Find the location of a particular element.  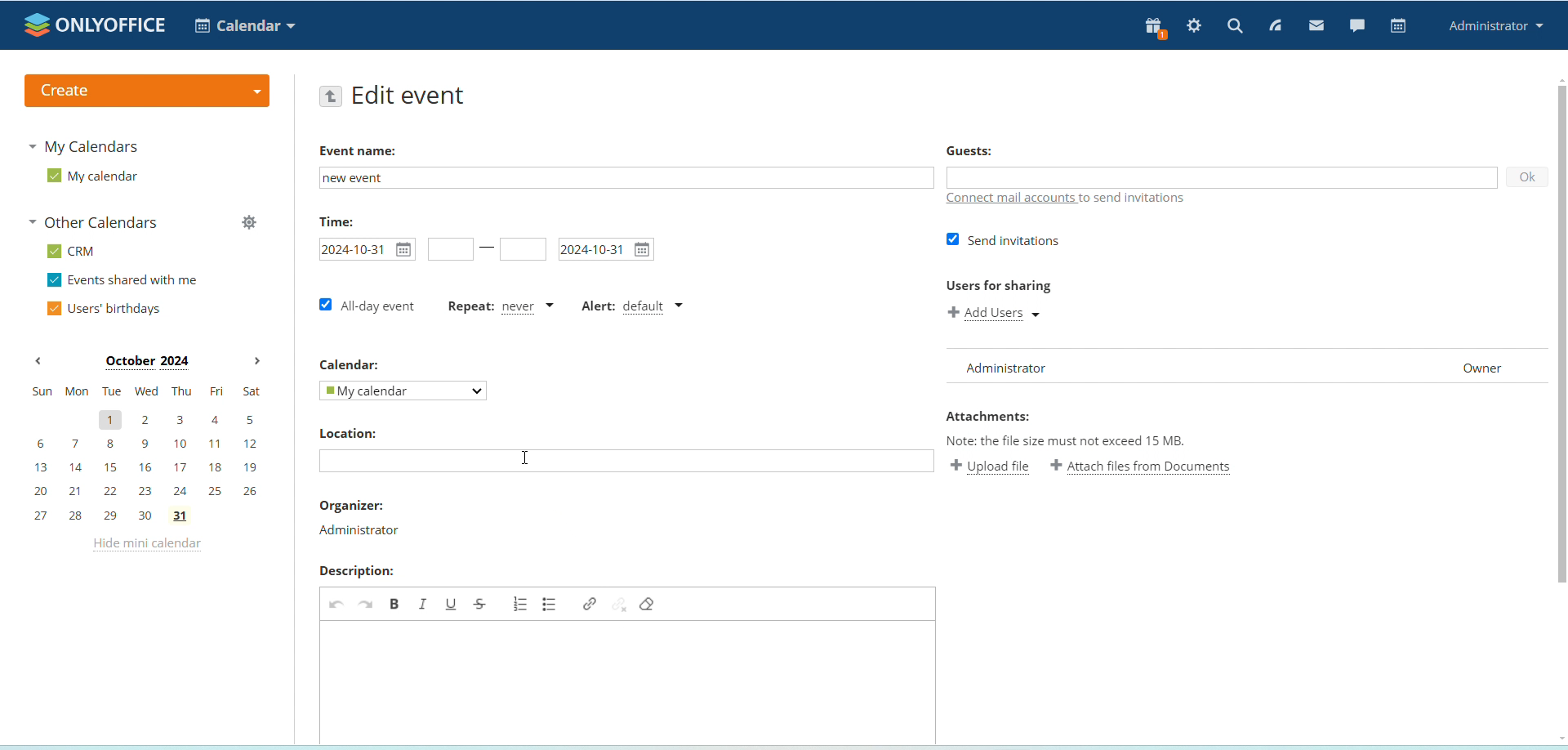

chat is located at coordinates (1356, 25).